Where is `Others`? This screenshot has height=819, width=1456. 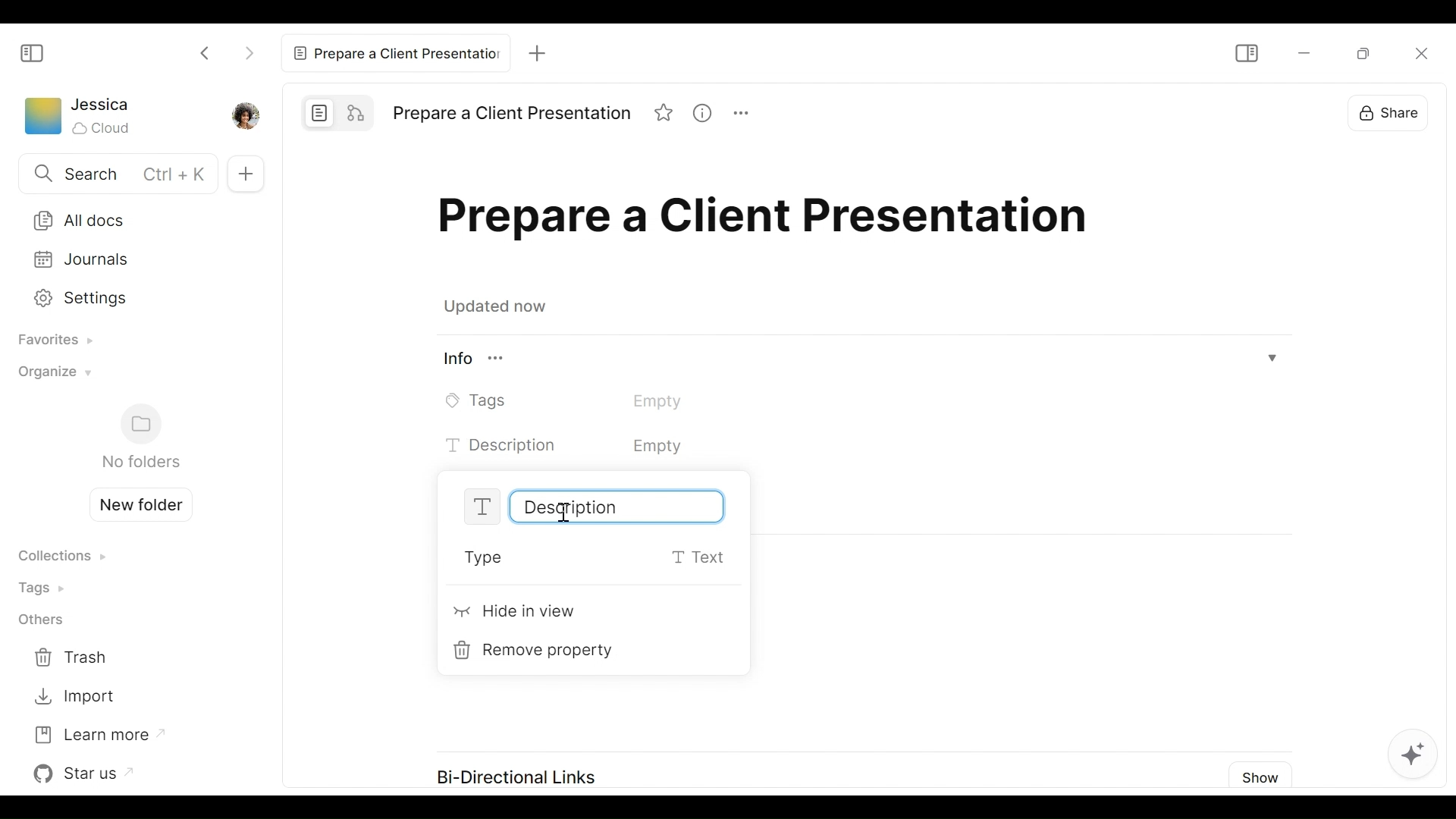 Others is located at coordinates (40, 621).